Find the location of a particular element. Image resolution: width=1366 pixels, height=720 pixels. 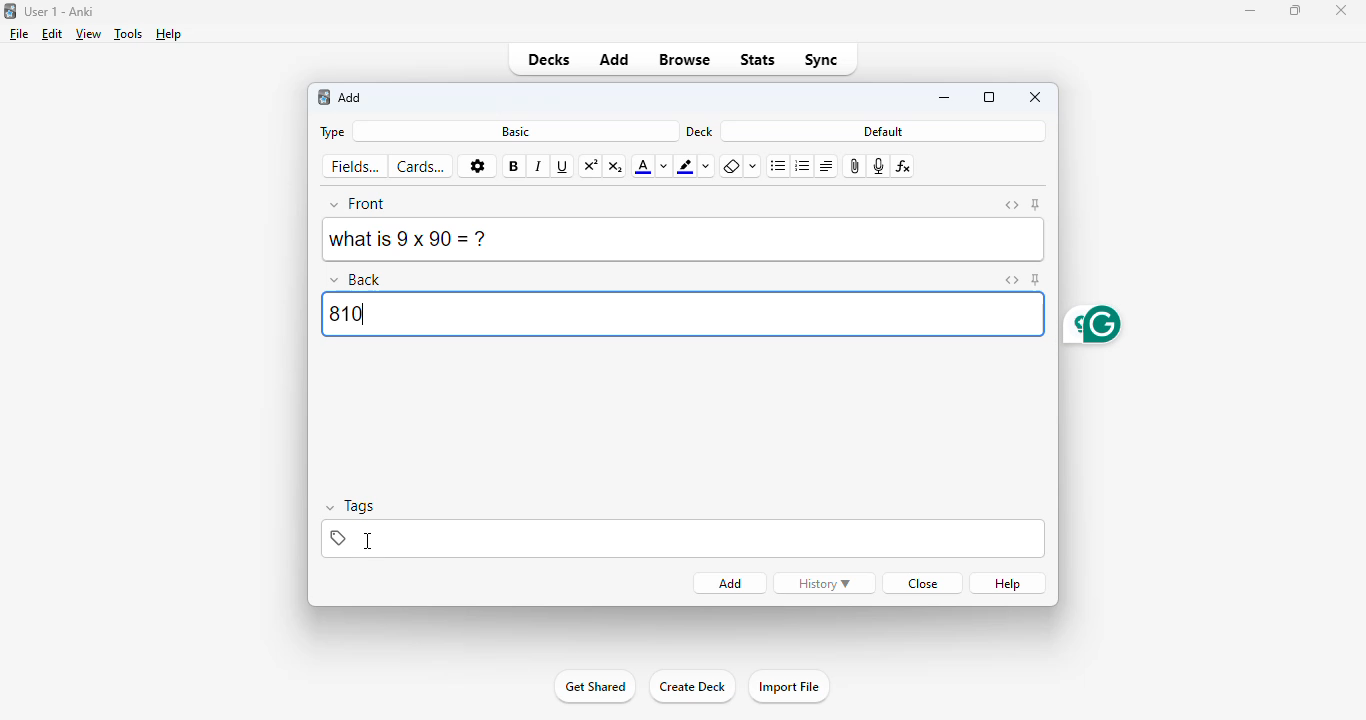

add is located at coordinates (351, 98).